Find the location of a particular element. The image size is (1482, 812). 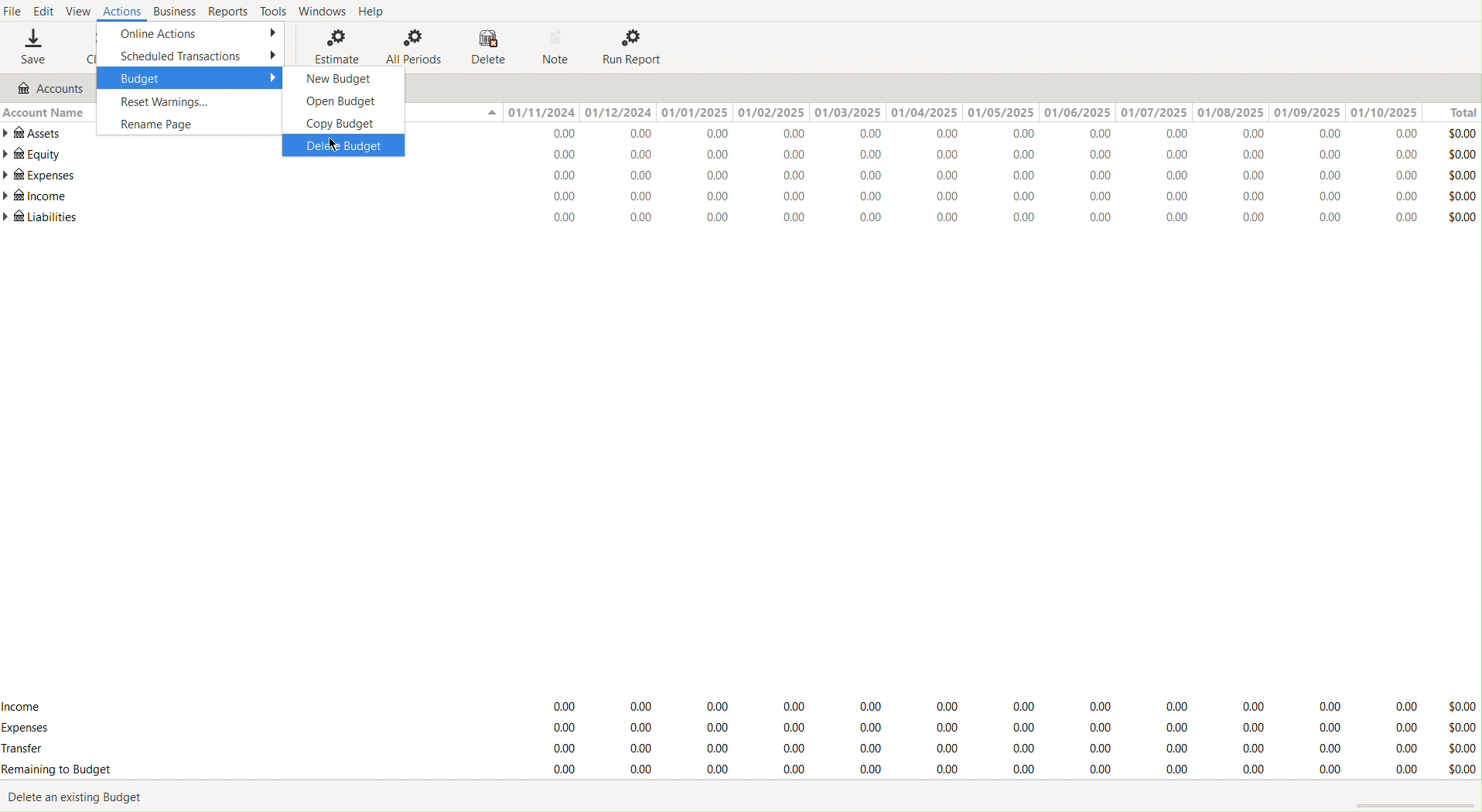

File is located at coordinates (13, 11).